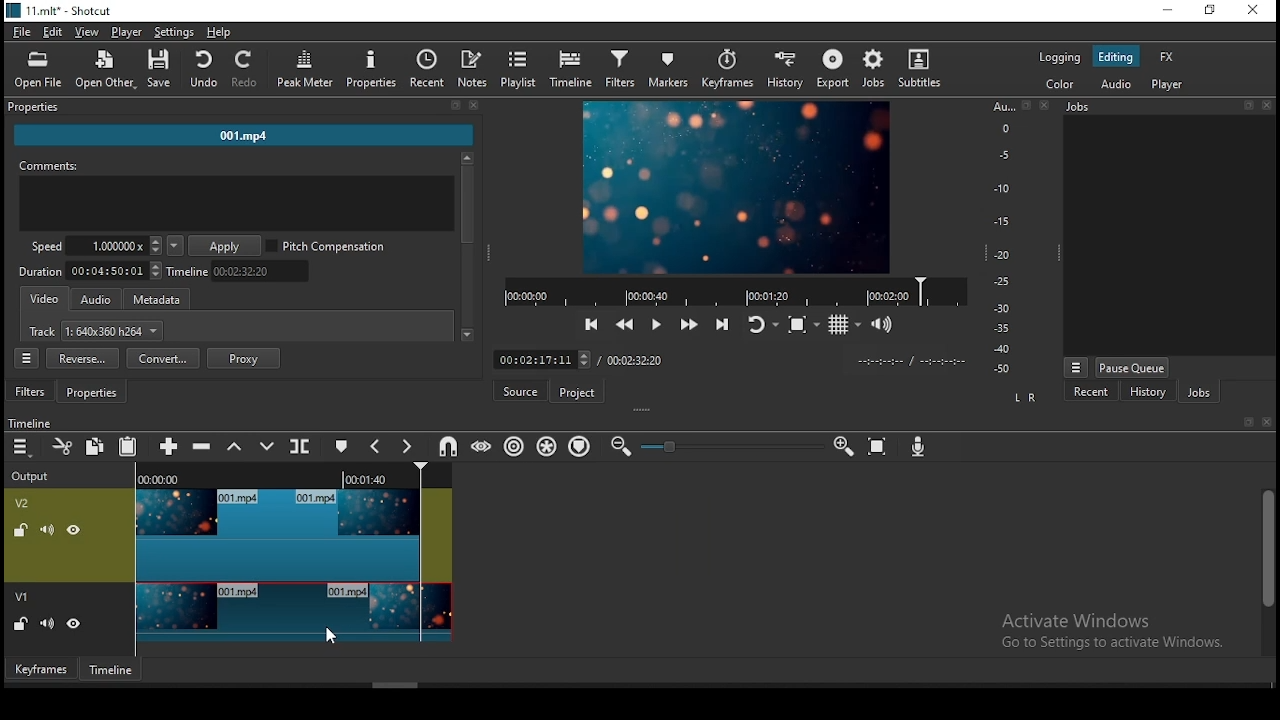 Image resolution: width=1280 pixels, height=720 pixels. Describe the element at coordinates (247, 70) in the screenshot. I see `redo` at that location.